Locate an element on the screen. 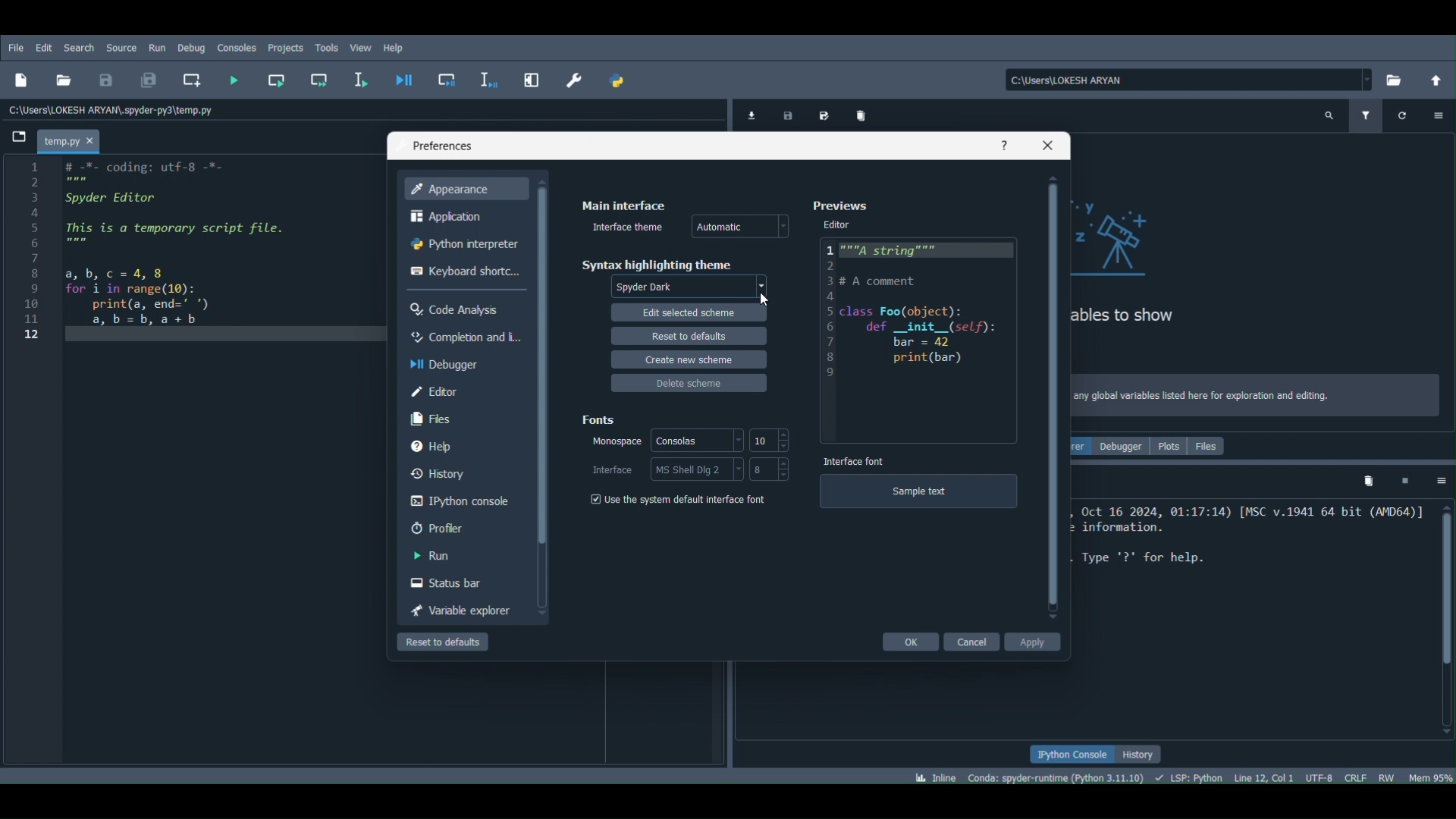 The image size is (1456, 819). Debugger is located at coordinates (1122, 447).